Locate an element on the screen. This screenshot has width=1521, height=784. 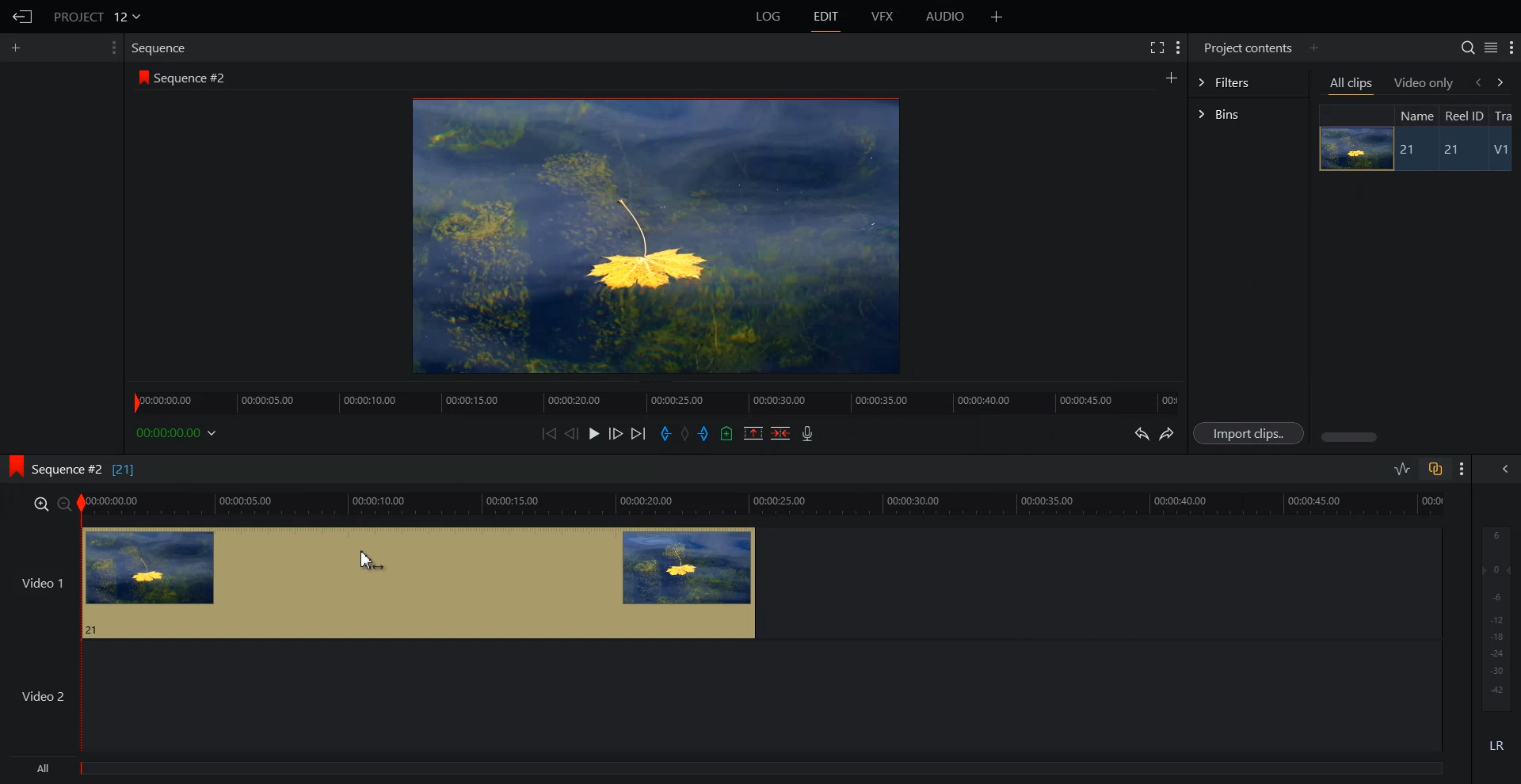
Add an in Mark in current position is located at coordinates (664, 434).